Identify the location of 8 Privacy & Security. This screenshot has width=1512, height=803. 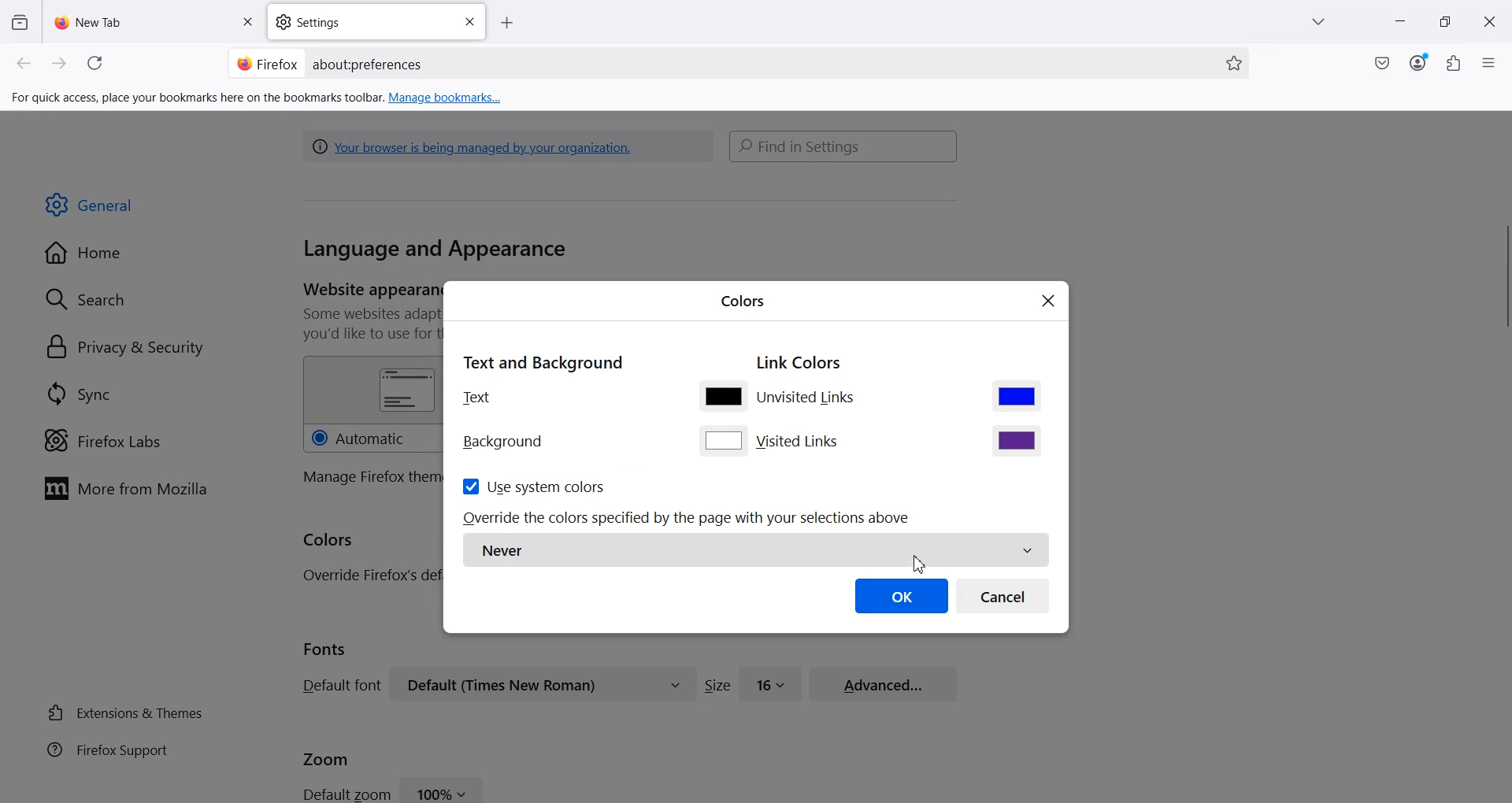
(125, 349).